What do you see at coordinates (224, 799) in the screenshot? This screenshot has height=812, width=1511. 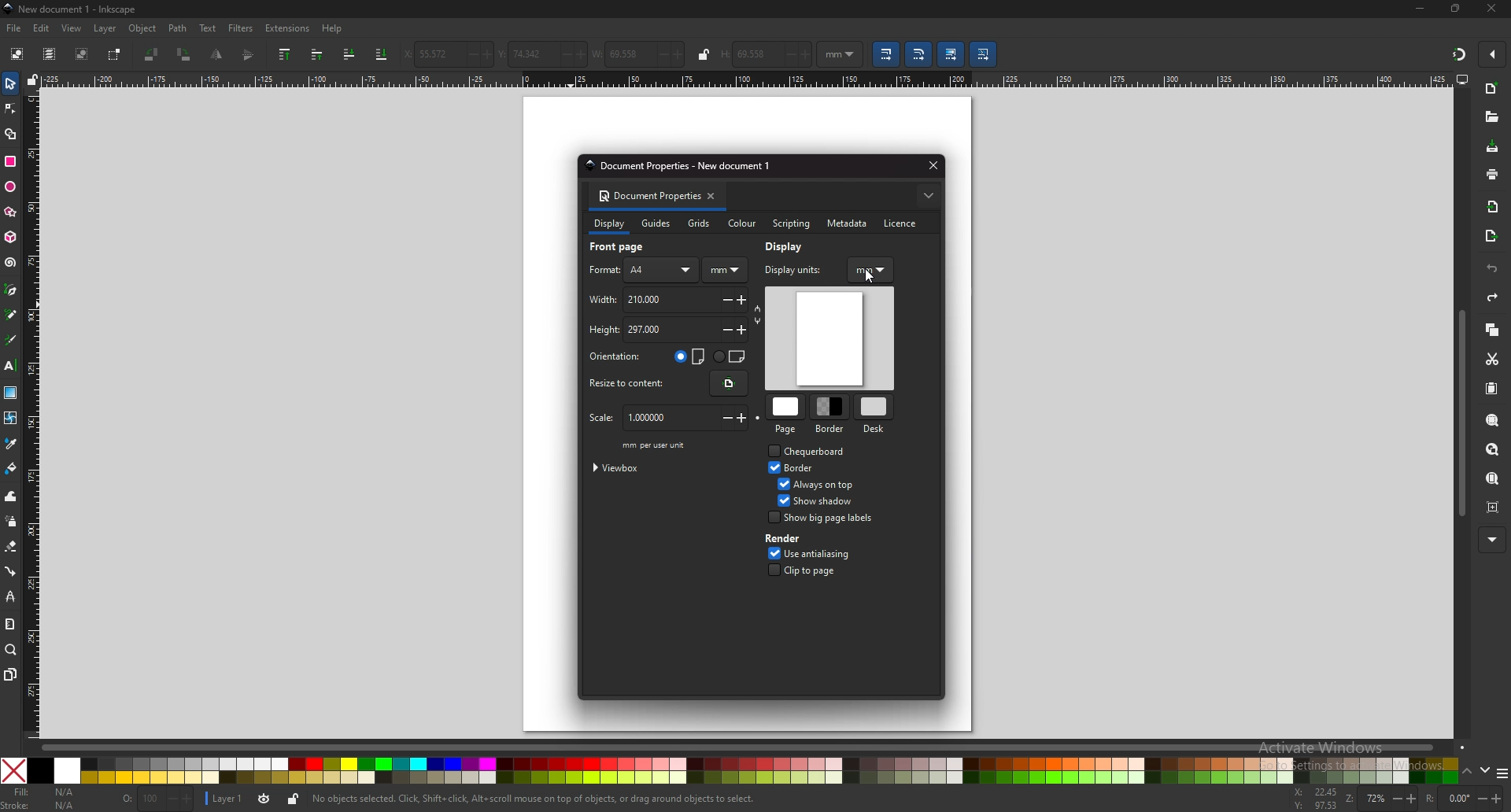 I see `layer 1` at bounding box center [224, 799].